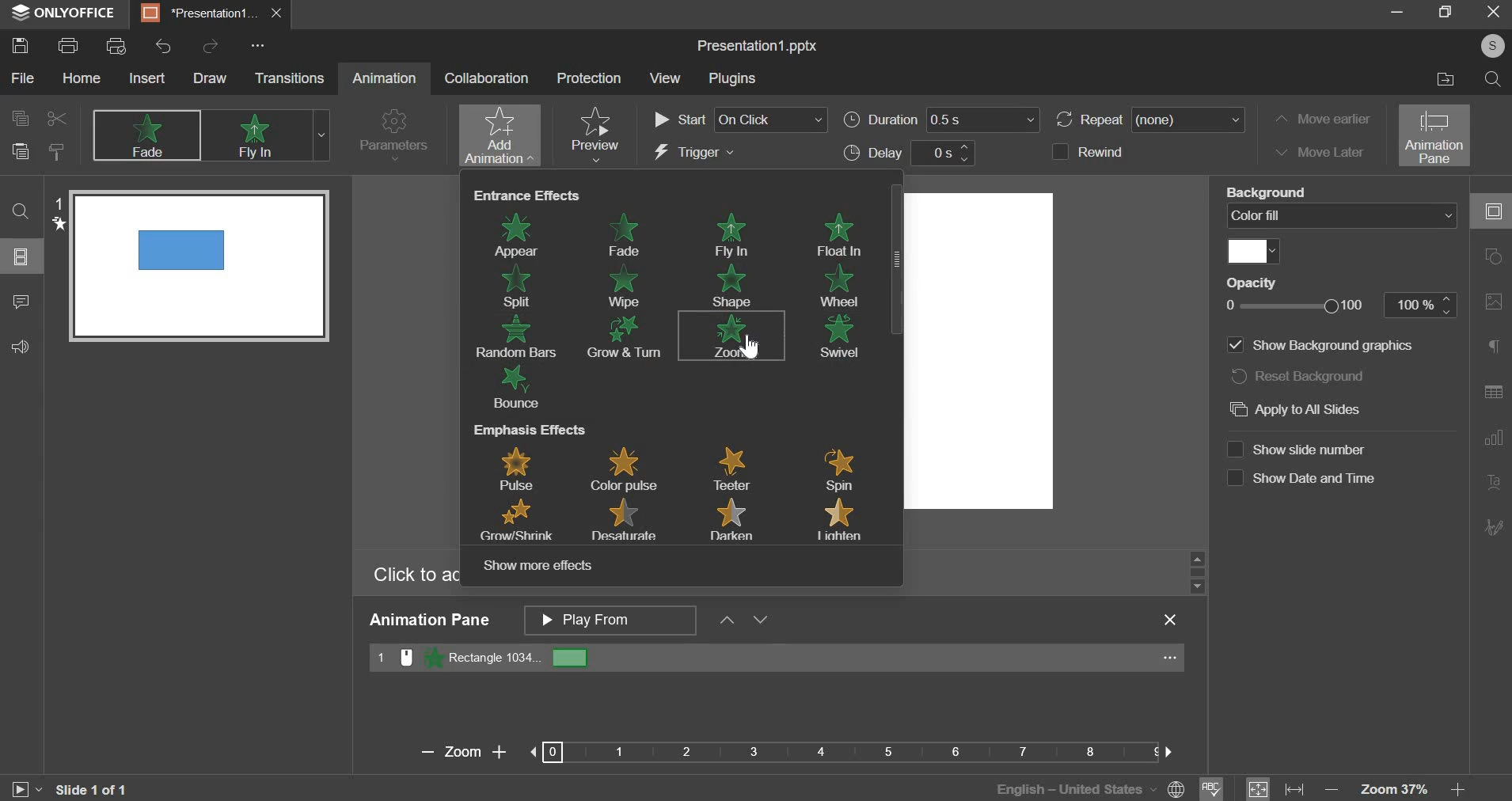 Image resolution: width=1512 pixels, height=801 pixels. What do you see at coordinates (435, 622) in the screenshot?
I see `Animation Pane` at bounding box center [435, 622].